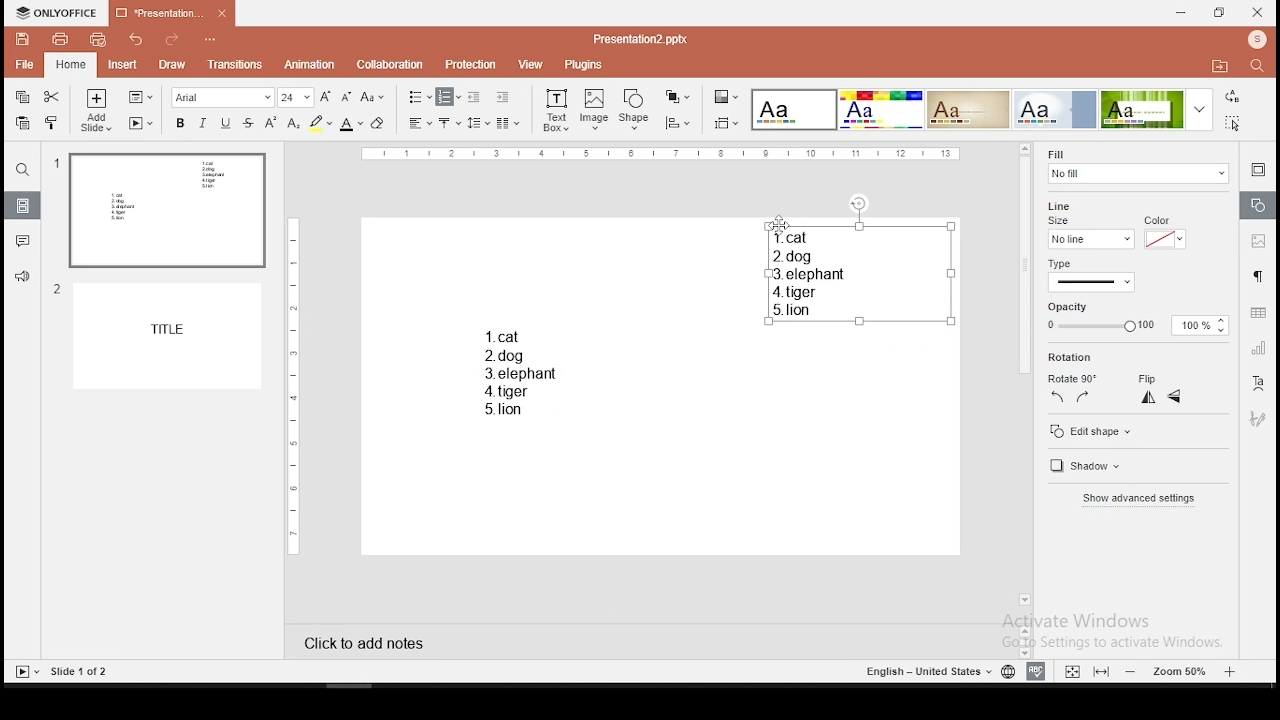  Describe the element at coordinates (1024, 376) in the screenshot. I see `scroll bar` at that location.